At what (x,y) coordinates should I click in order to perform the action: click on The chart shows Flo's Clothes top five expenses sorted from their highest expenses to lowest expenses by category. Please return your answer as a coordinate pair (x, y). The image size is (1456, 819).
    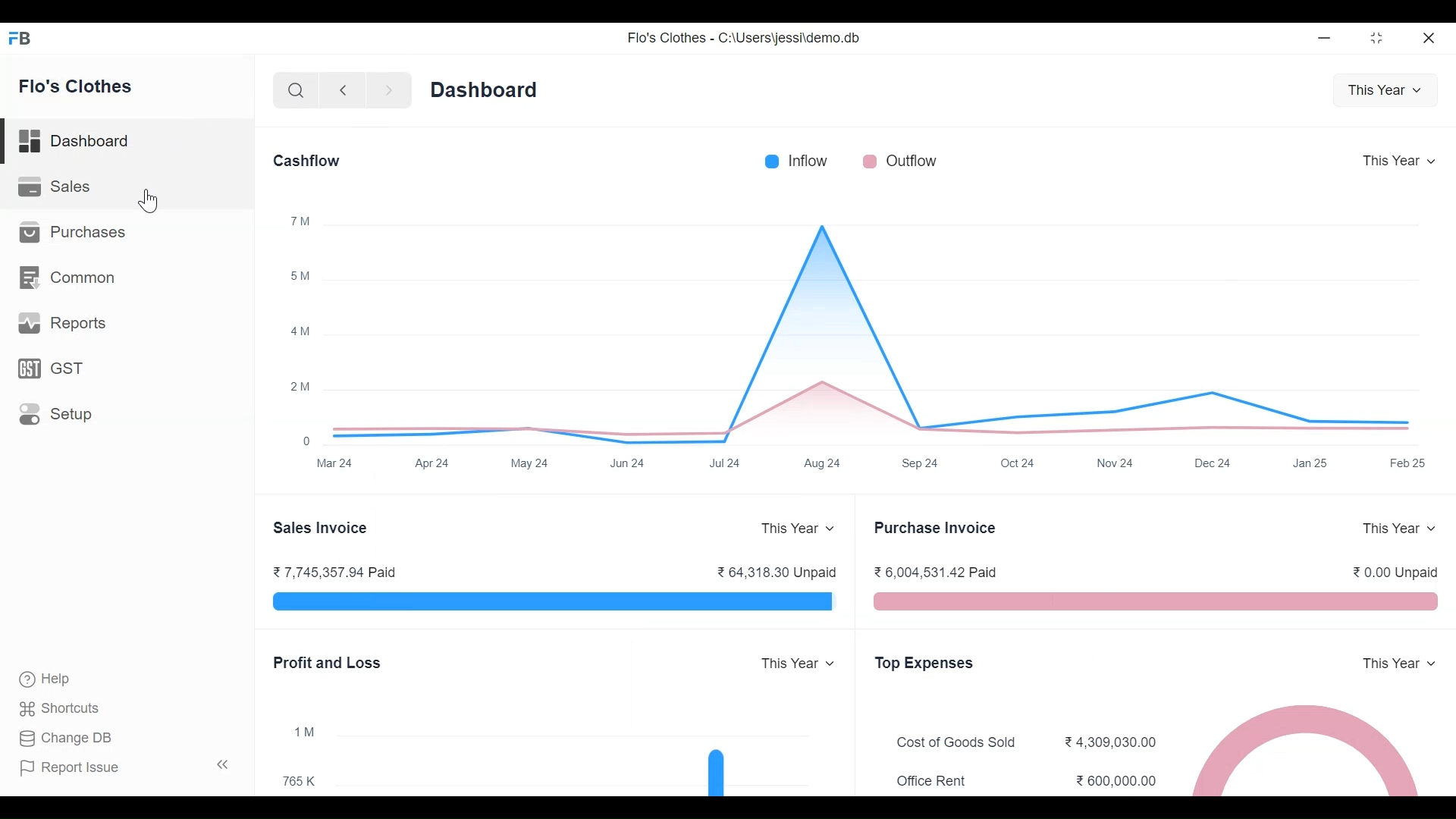
    Looking at the image, I should click on (1308, 749).